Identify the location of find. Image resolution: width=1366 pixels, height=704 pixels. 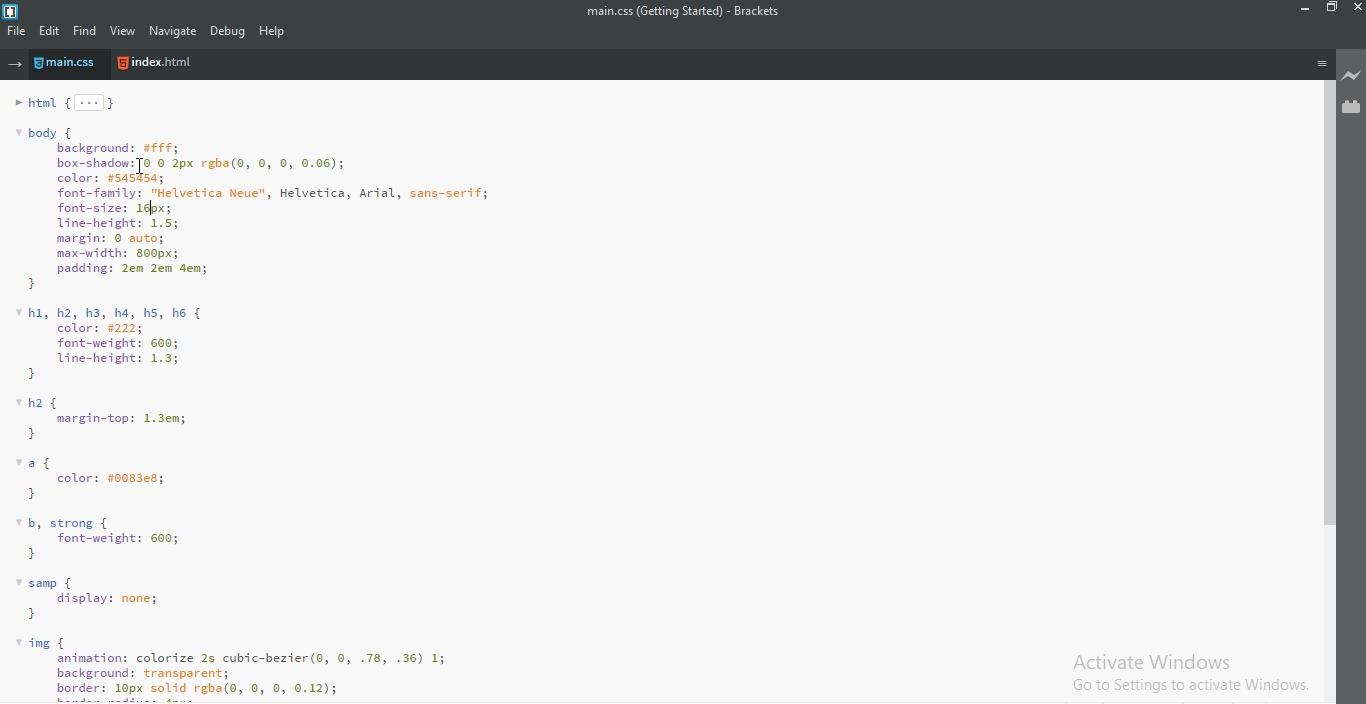
(86, 31).